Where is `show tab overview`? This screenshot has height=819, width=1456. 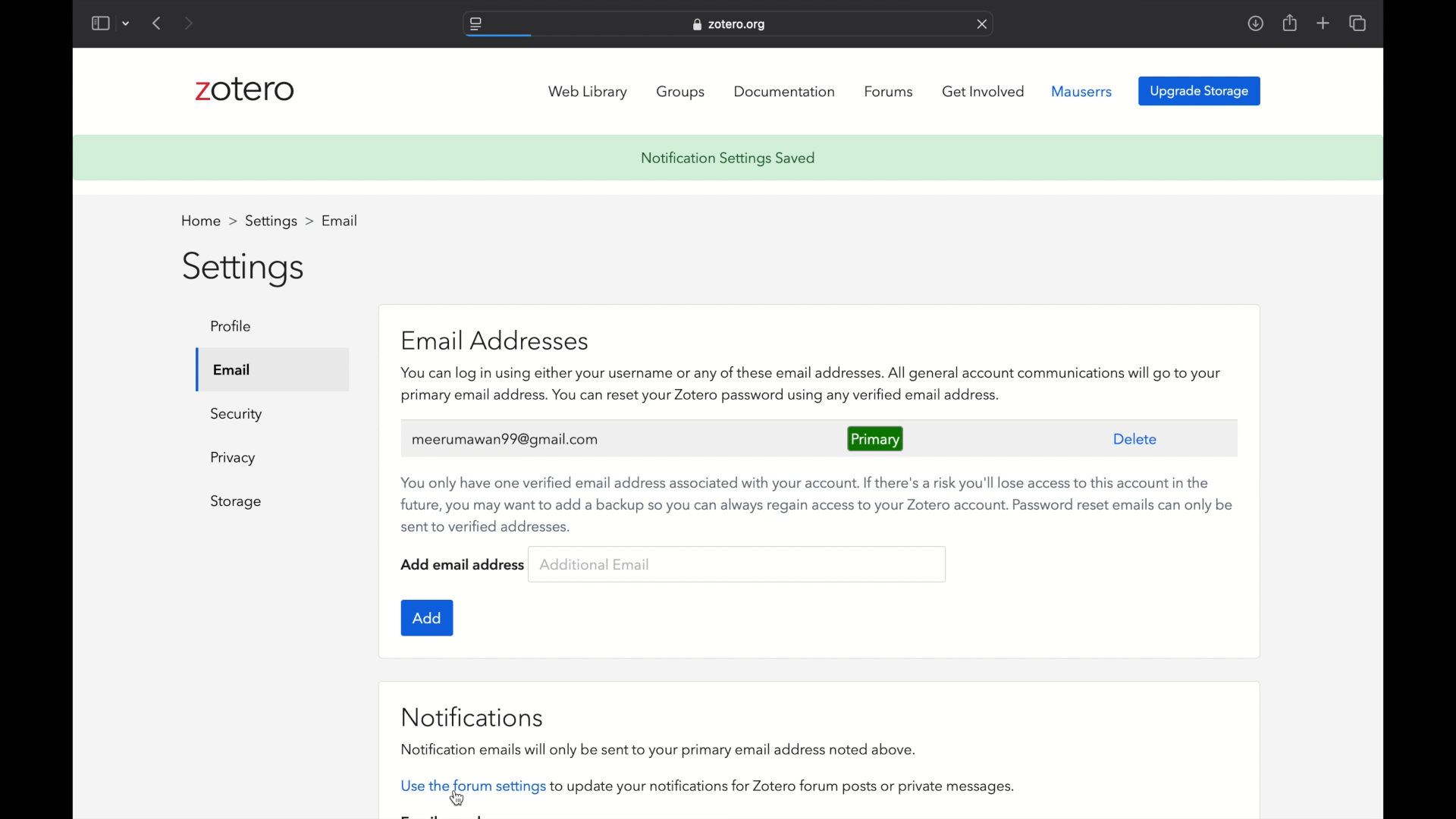 show tab overview is located at coordinates (1359, 23).